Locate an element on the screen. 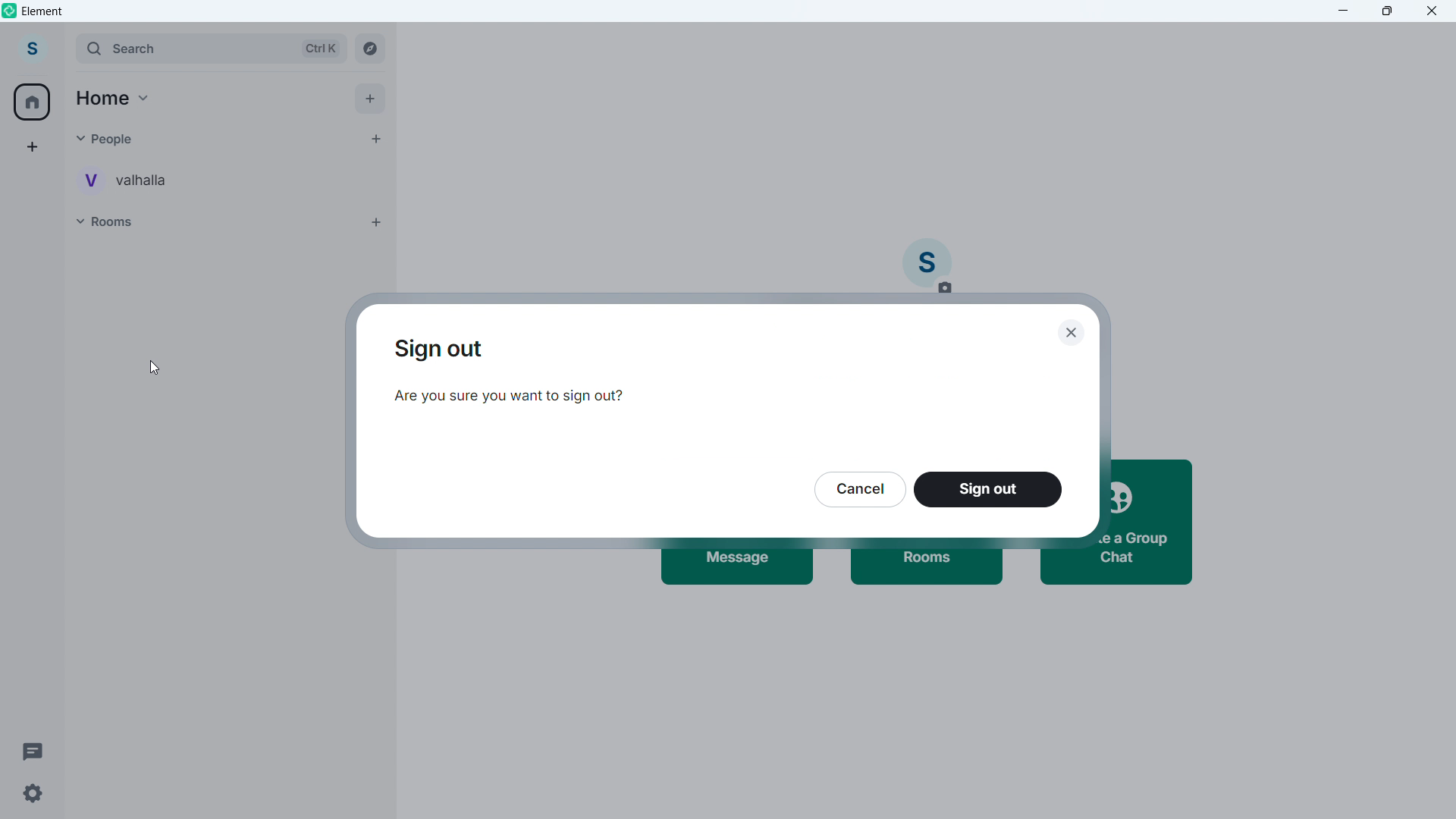 The height and width of the screenshot is (819, 1456). account is located at coordinates (33, 49).